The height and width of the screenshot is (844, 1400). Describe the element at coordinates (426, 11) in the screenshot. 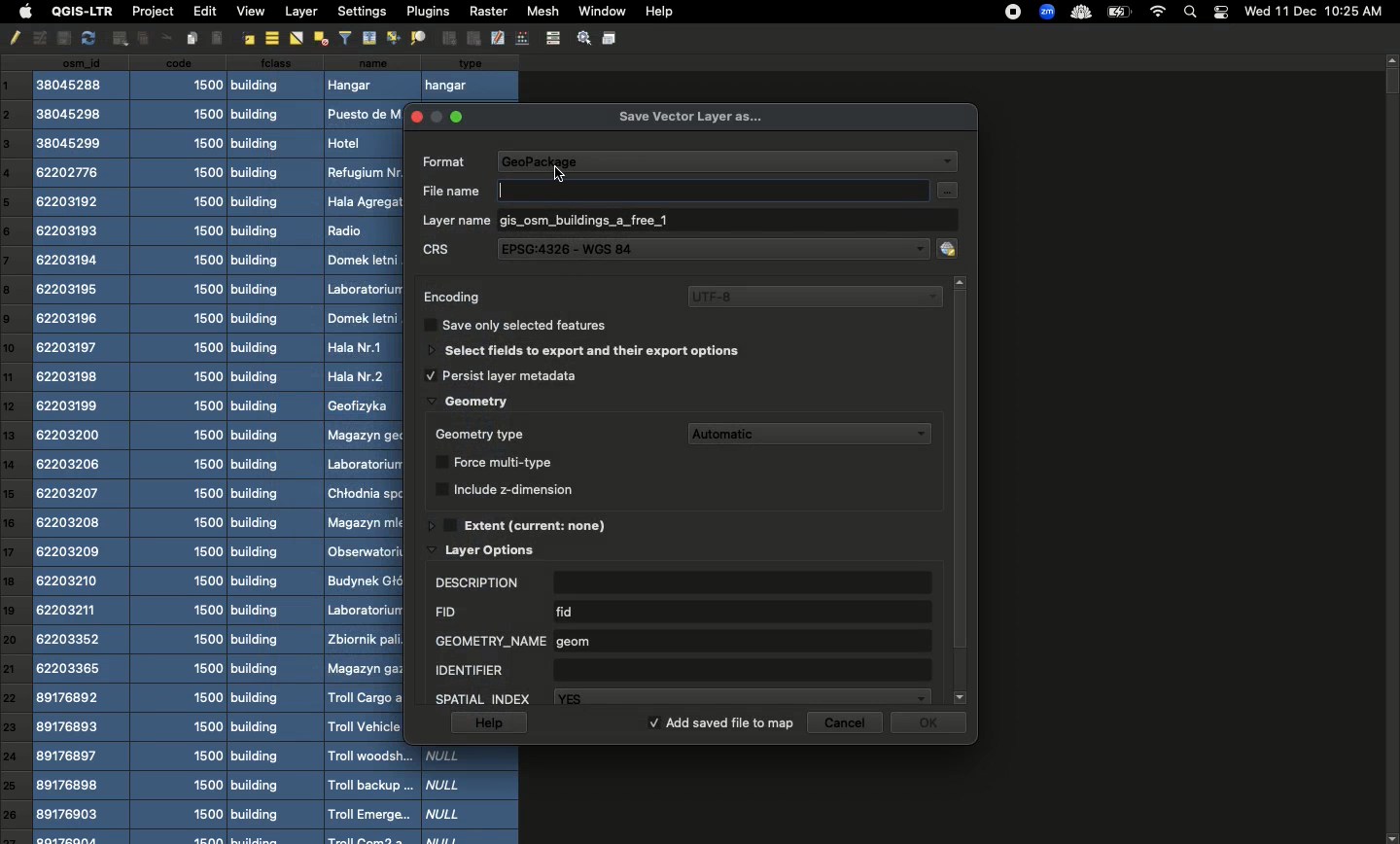

I see `Plugins` at that location.